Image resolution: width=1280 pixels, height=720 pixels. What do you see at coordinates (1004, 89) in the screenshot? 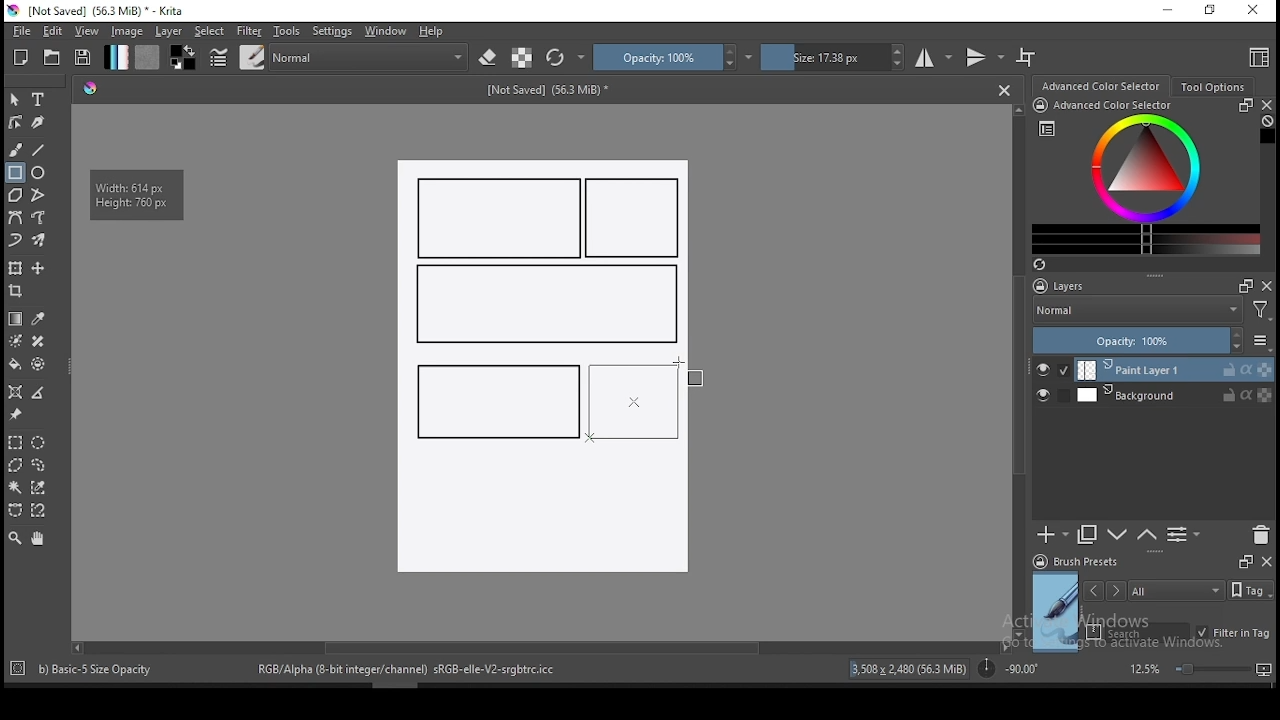
I see `Close` at bounding box center [1004, 89].